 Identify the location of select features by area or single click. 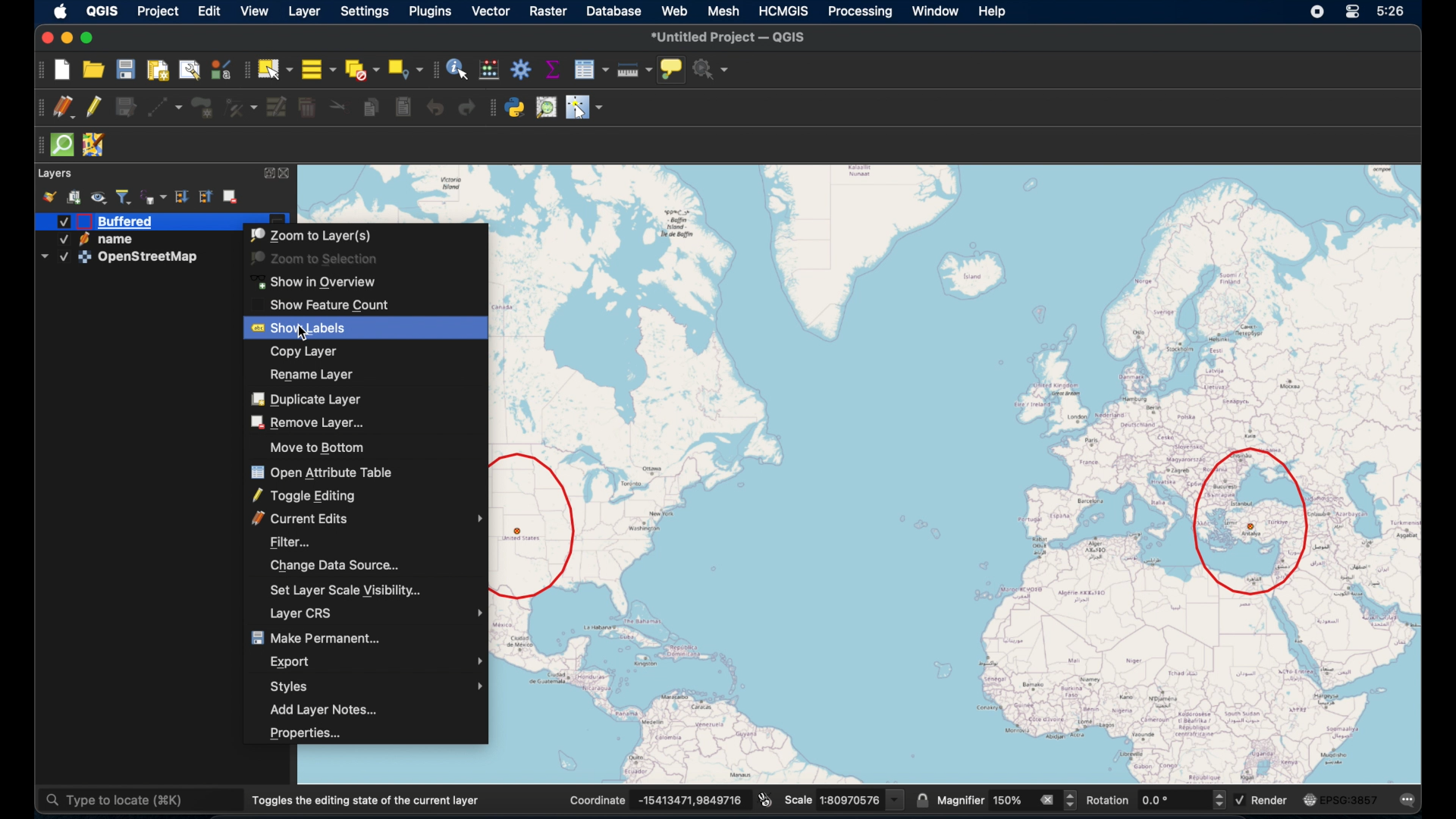
(275, 69).